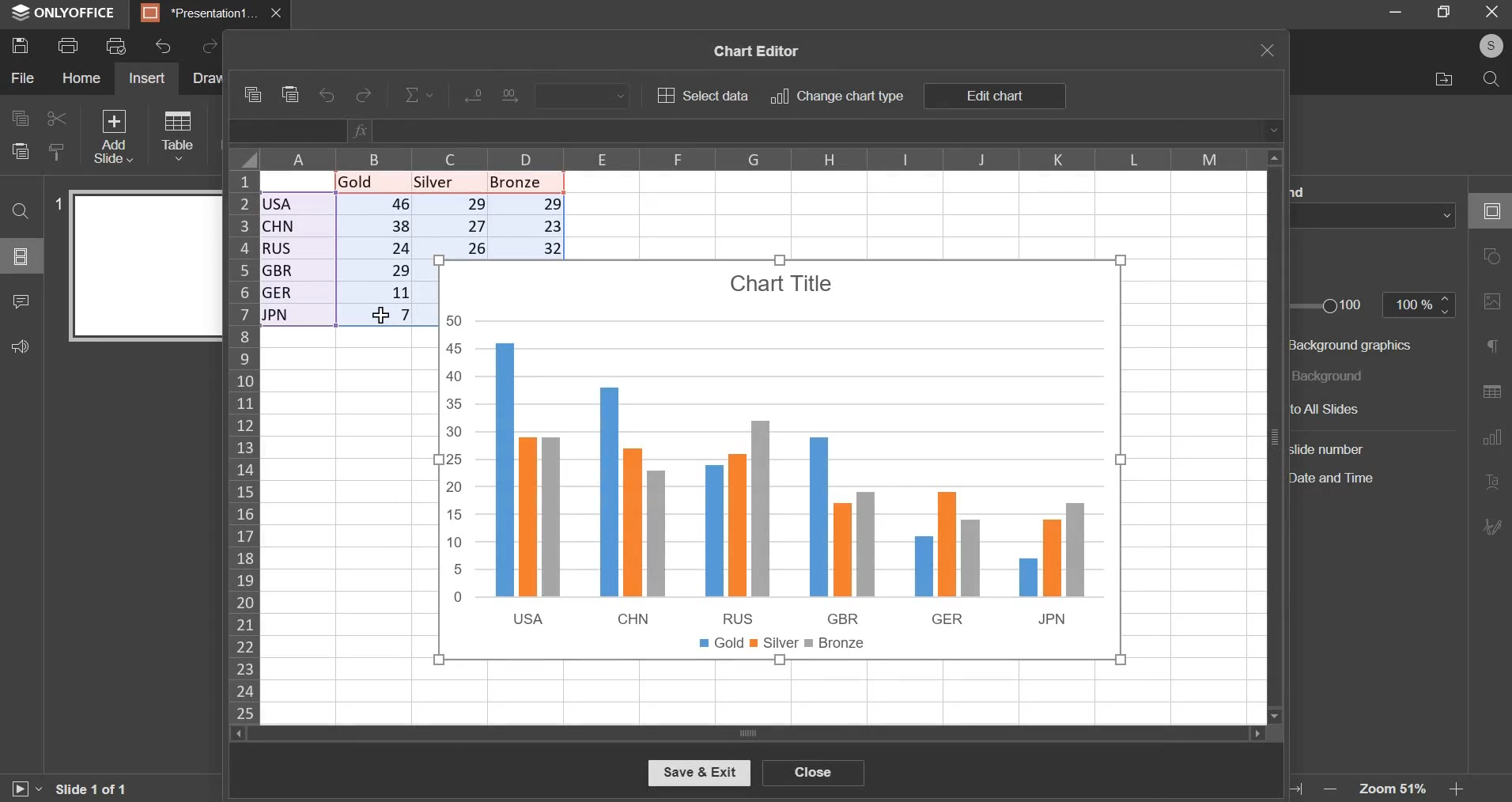 The image size is (1512, 802). What do you see at coordinates (376, 316) in the screenshot?
I see `7` at bounding box center [376, 316].